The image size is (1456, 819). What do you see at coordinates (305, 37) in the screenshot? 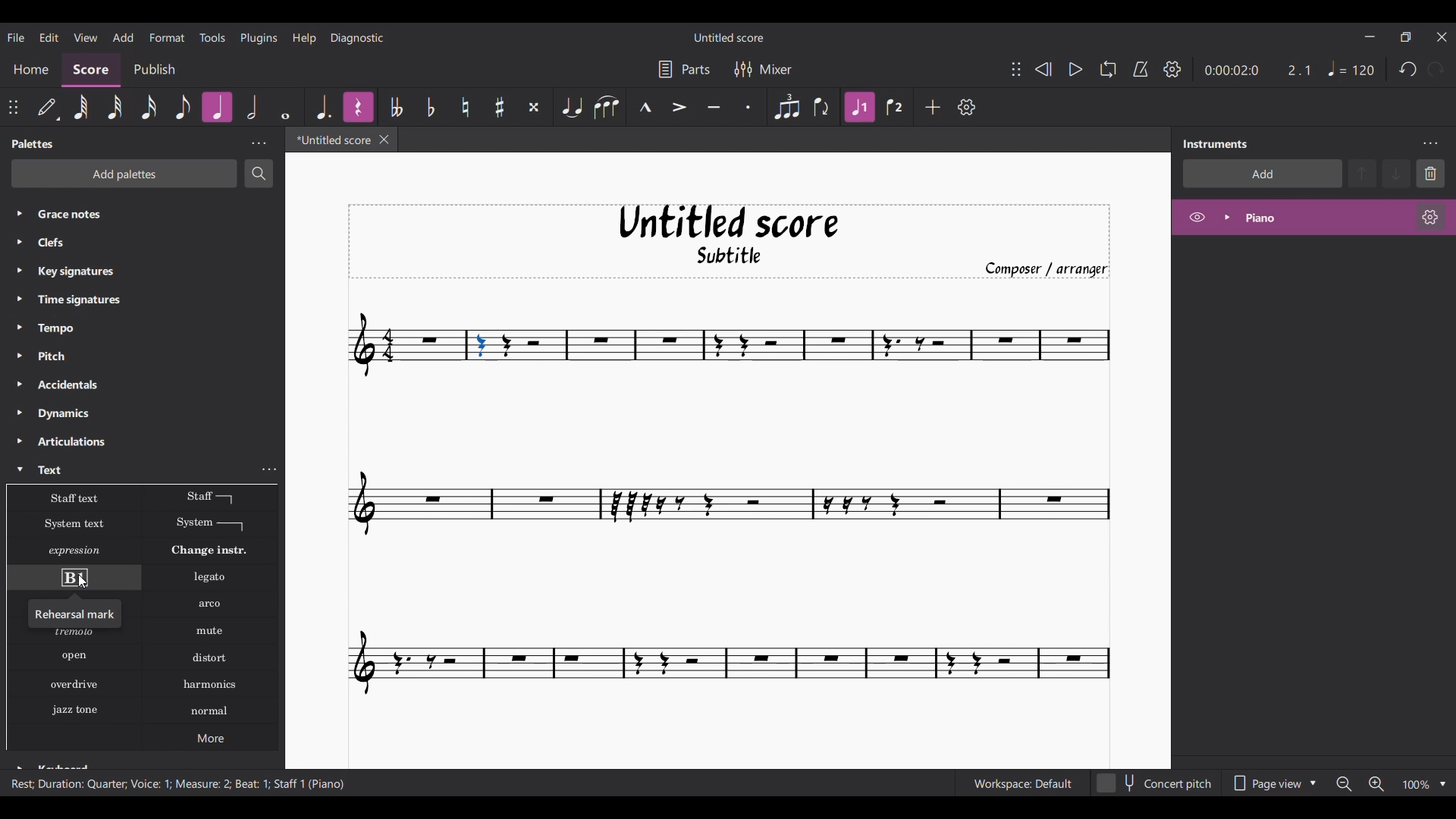
I see `Help menu` at bounding box center [305, 37].